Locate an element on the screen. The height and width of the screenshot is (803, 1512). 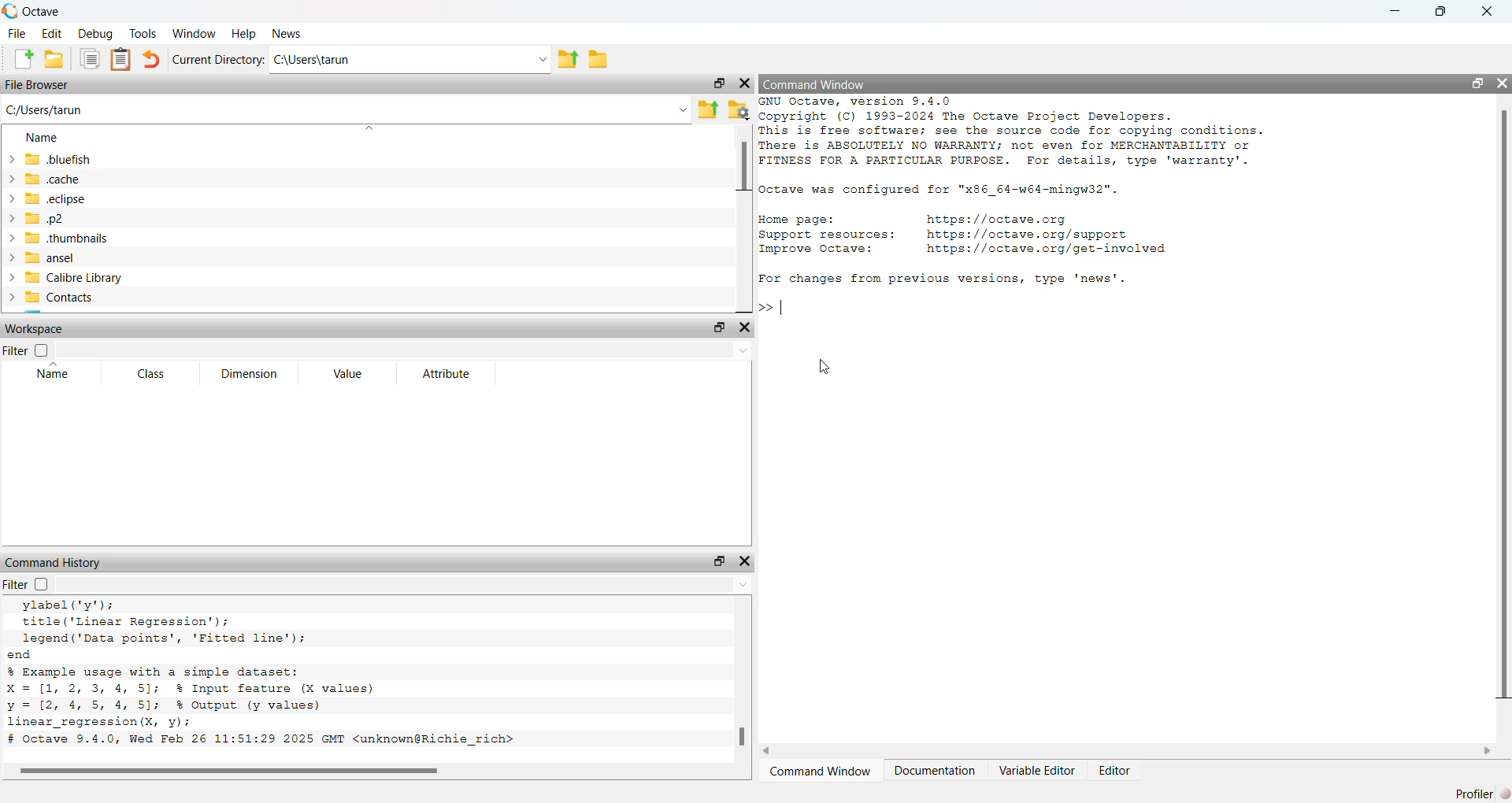
documentation is located at coordinates (938, 770).